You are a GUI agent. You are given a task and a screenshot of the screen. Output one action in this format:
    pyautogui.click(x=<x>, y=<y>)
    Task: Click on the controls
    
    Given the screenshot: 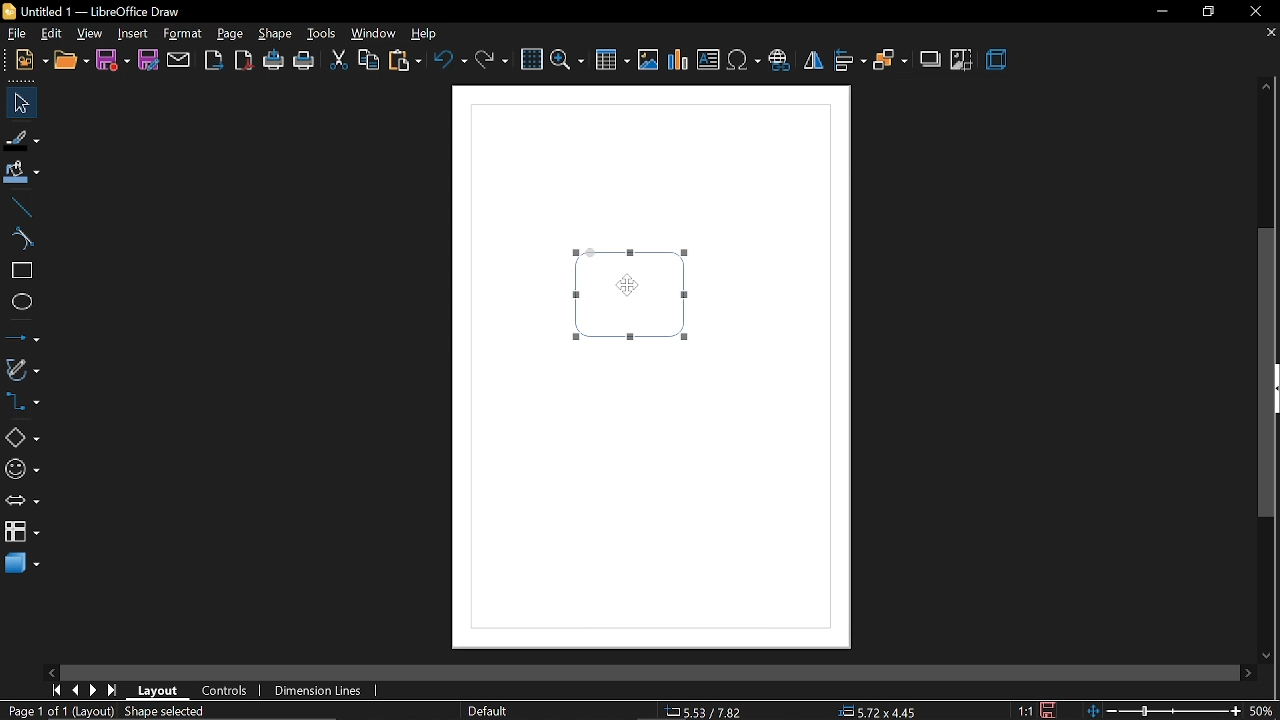 What is the action you would take?
    pyautogui.click(x=230, y=692)
    